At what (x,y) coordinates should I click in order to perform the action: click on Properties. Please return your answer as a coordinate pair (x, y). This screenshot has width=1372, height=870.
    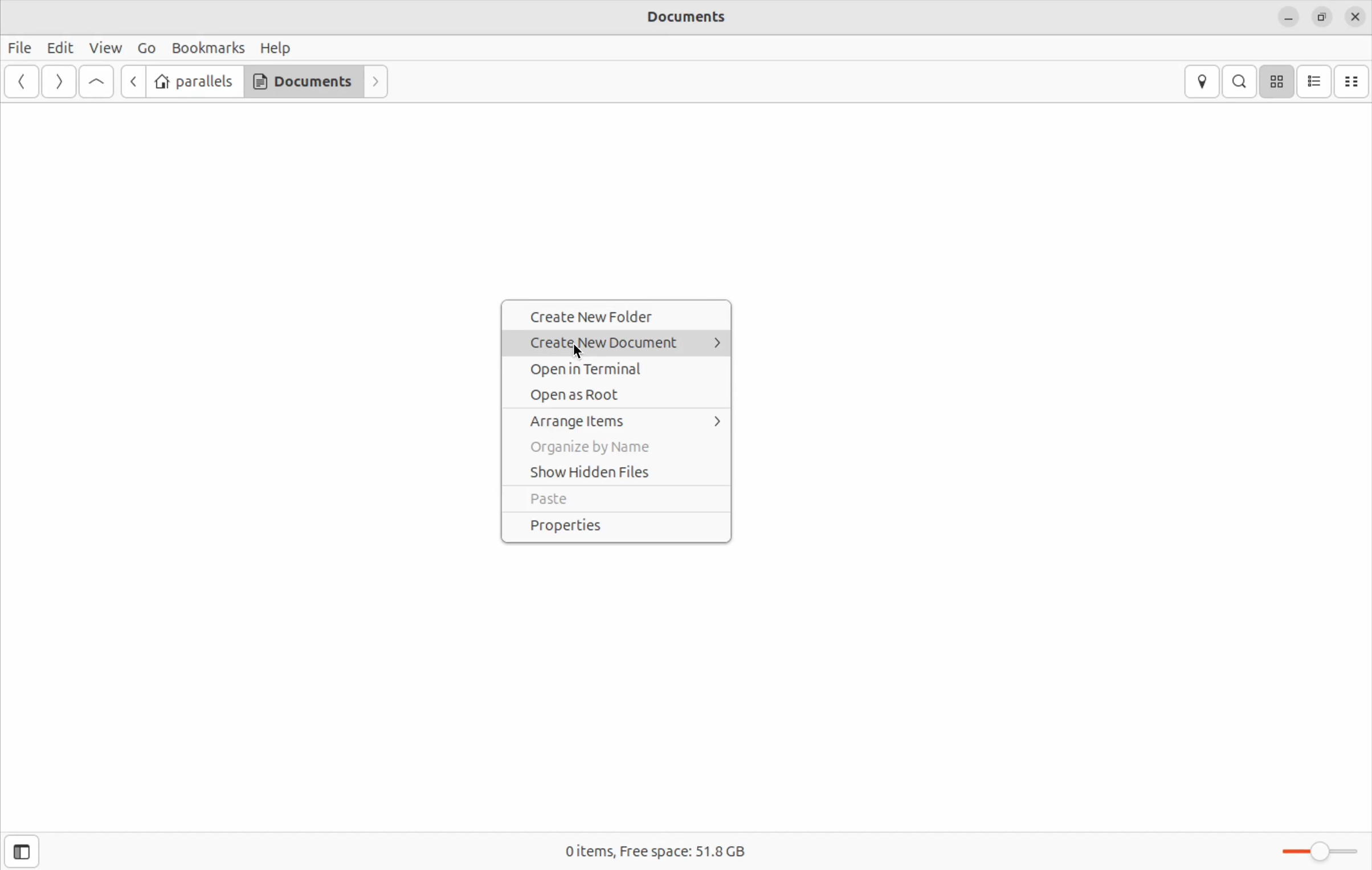
    Looking at the image, I should click on (615, 526).